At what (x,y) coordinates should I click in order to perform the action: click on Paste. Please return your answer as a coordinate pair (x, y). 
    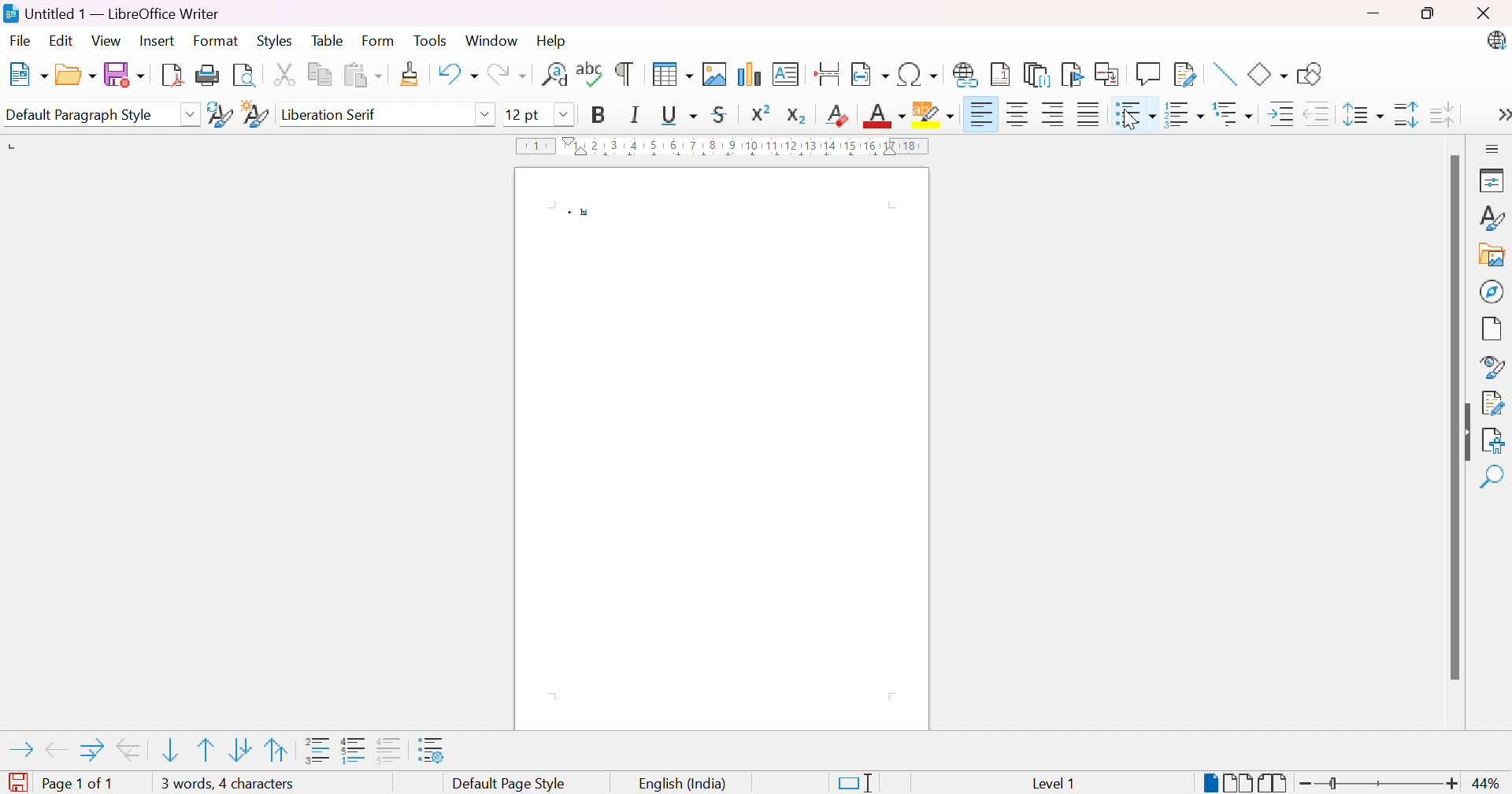
    Looking at the image, I should click on (361, 74).